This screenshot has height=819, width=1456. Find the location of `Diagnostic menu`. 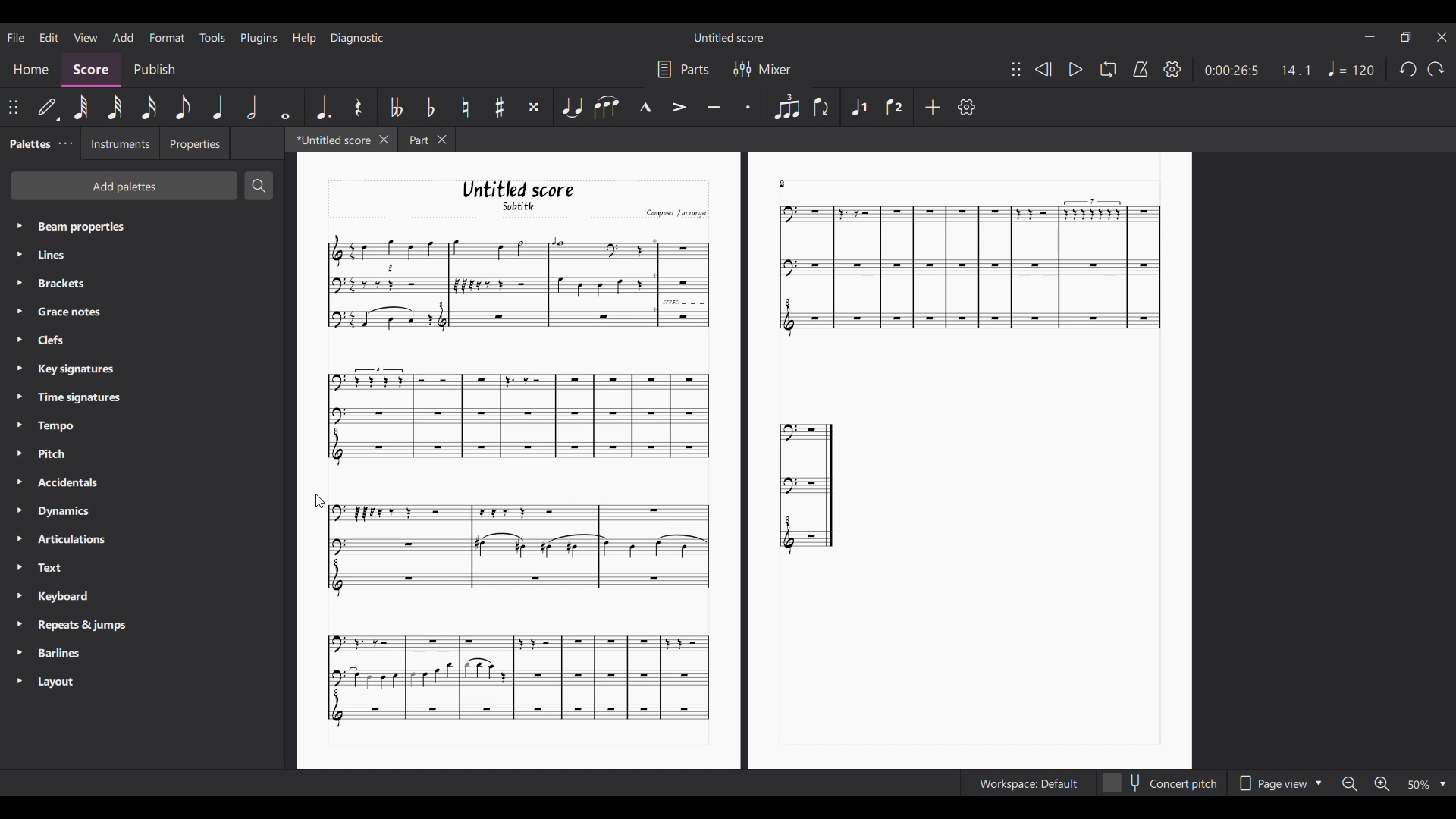

Diagnostic menu is located at coordinates (358, 38).